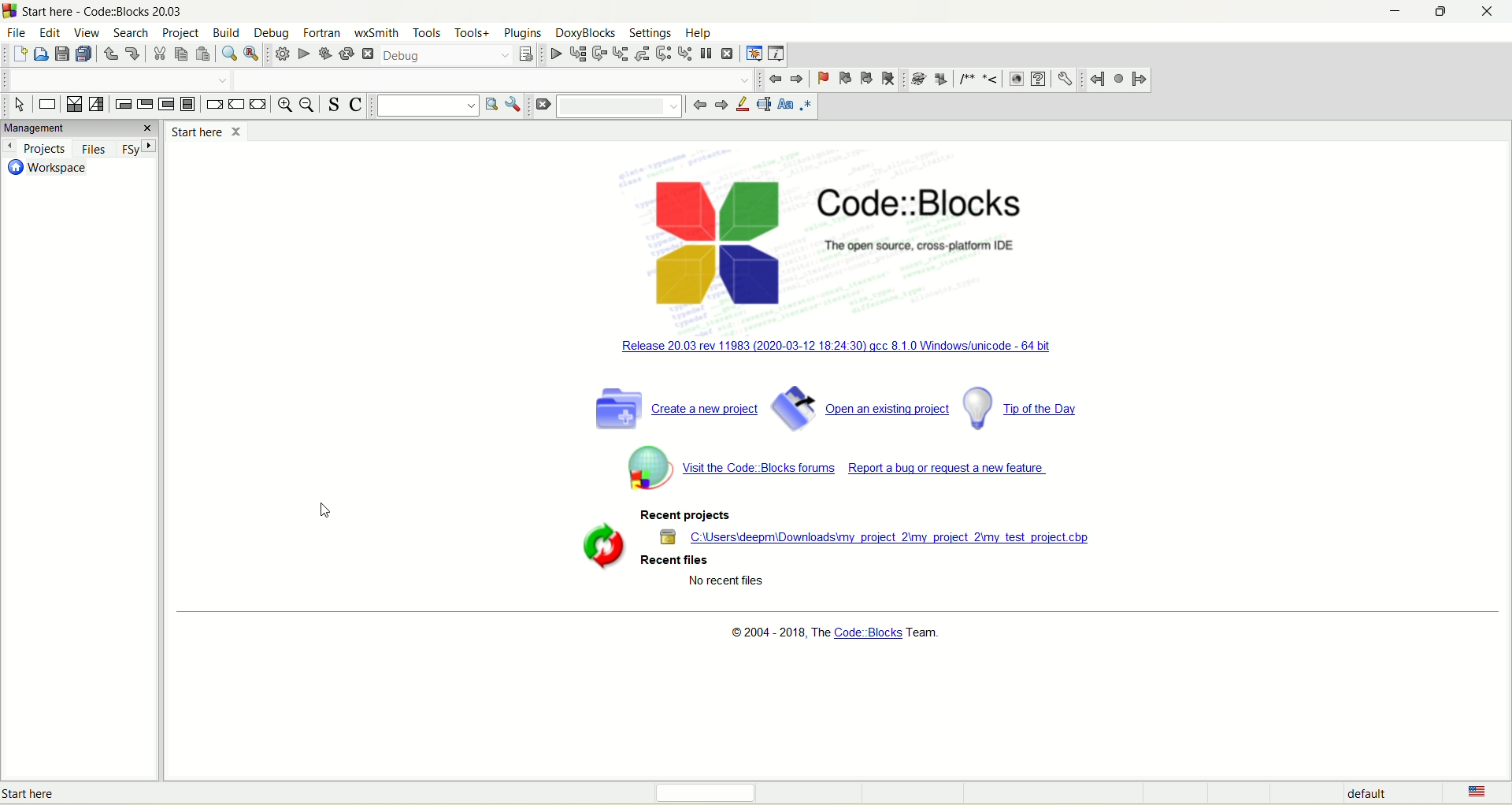 The width and height of the screenshot is (1512, 805). What do you see at coordinates (776, 54) in the screenshot?
I see `various info` at bounding box center [776, 54].